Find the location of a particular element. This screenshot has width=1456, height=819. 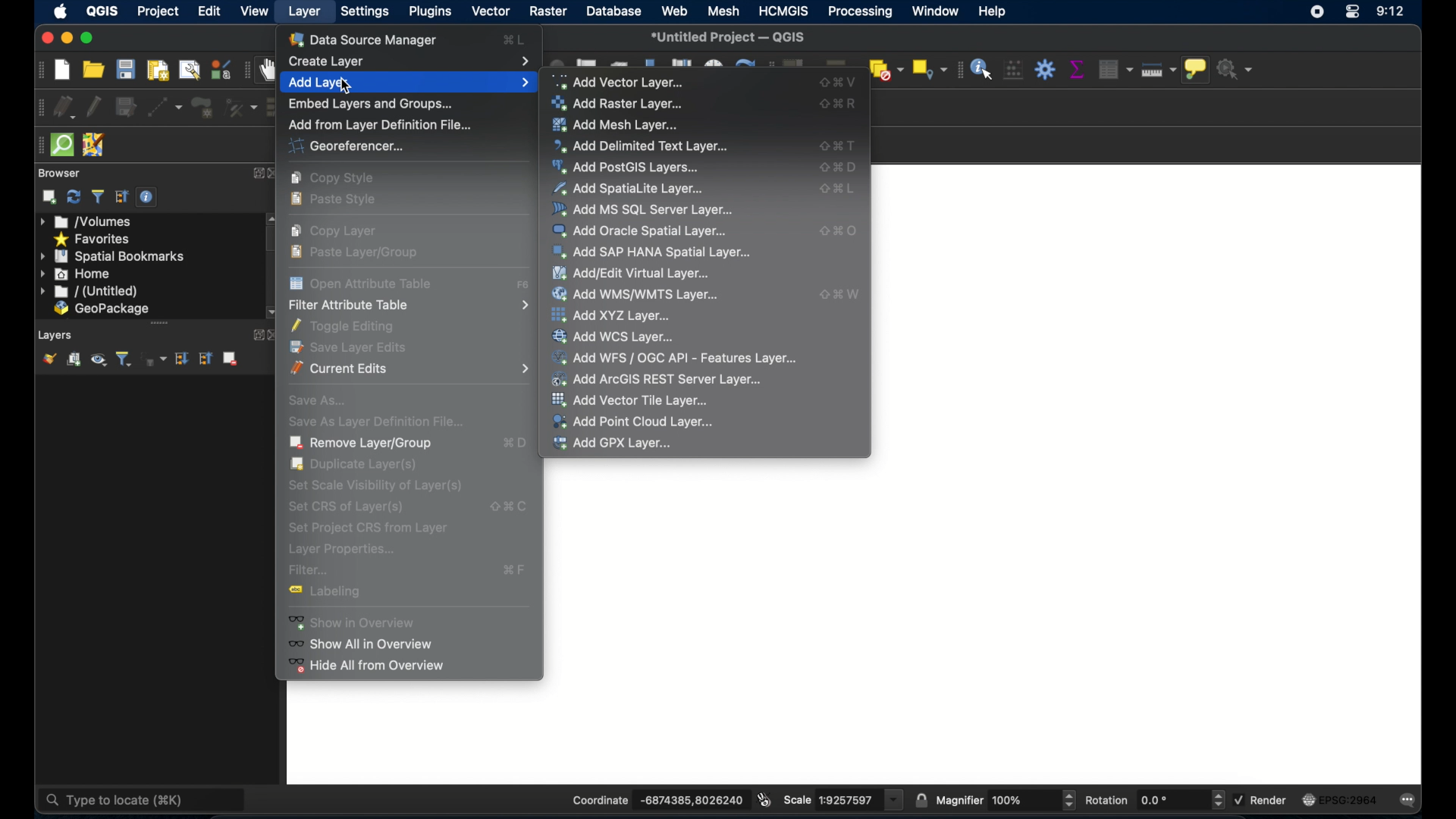

save edits is located at coordinates (126, 107).